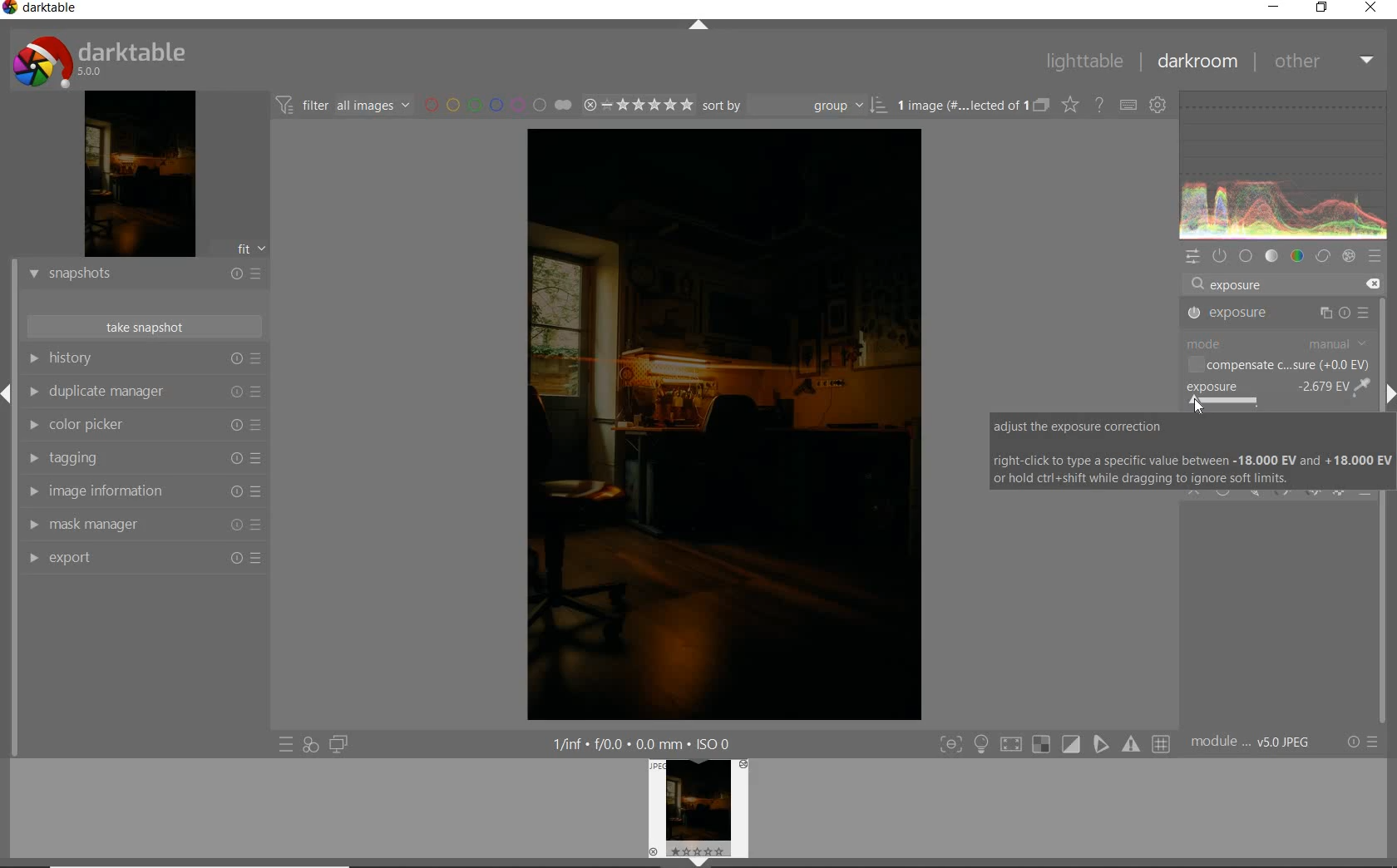 The image size is (1397, 868). I want to click on system name, so click(45, 10).